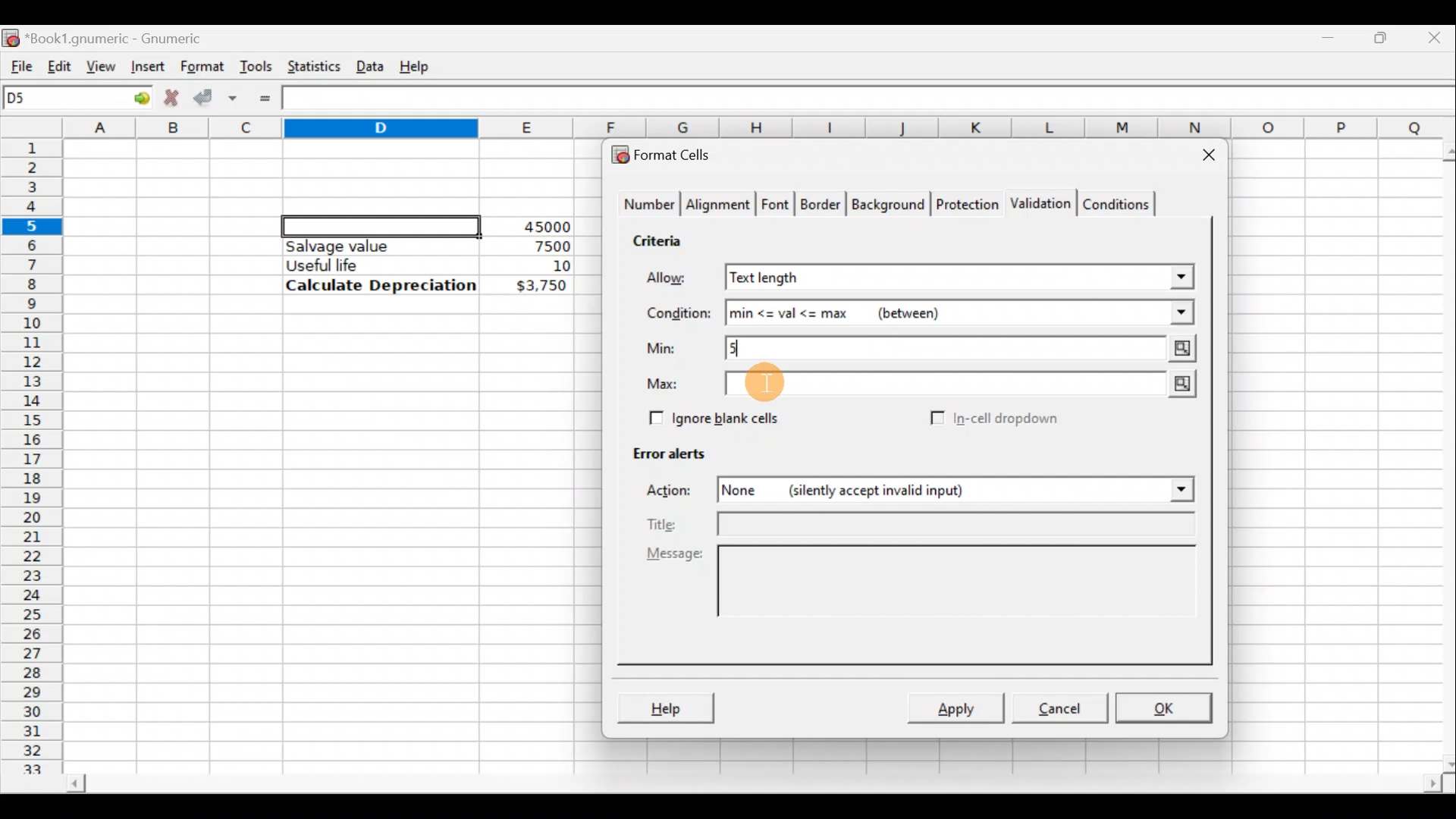 This screenshot has width=1456, height=819. What do you see at coordinates (367, 246) in the screenshot?
I see `Salvage value` at bounding box center [367, 246].